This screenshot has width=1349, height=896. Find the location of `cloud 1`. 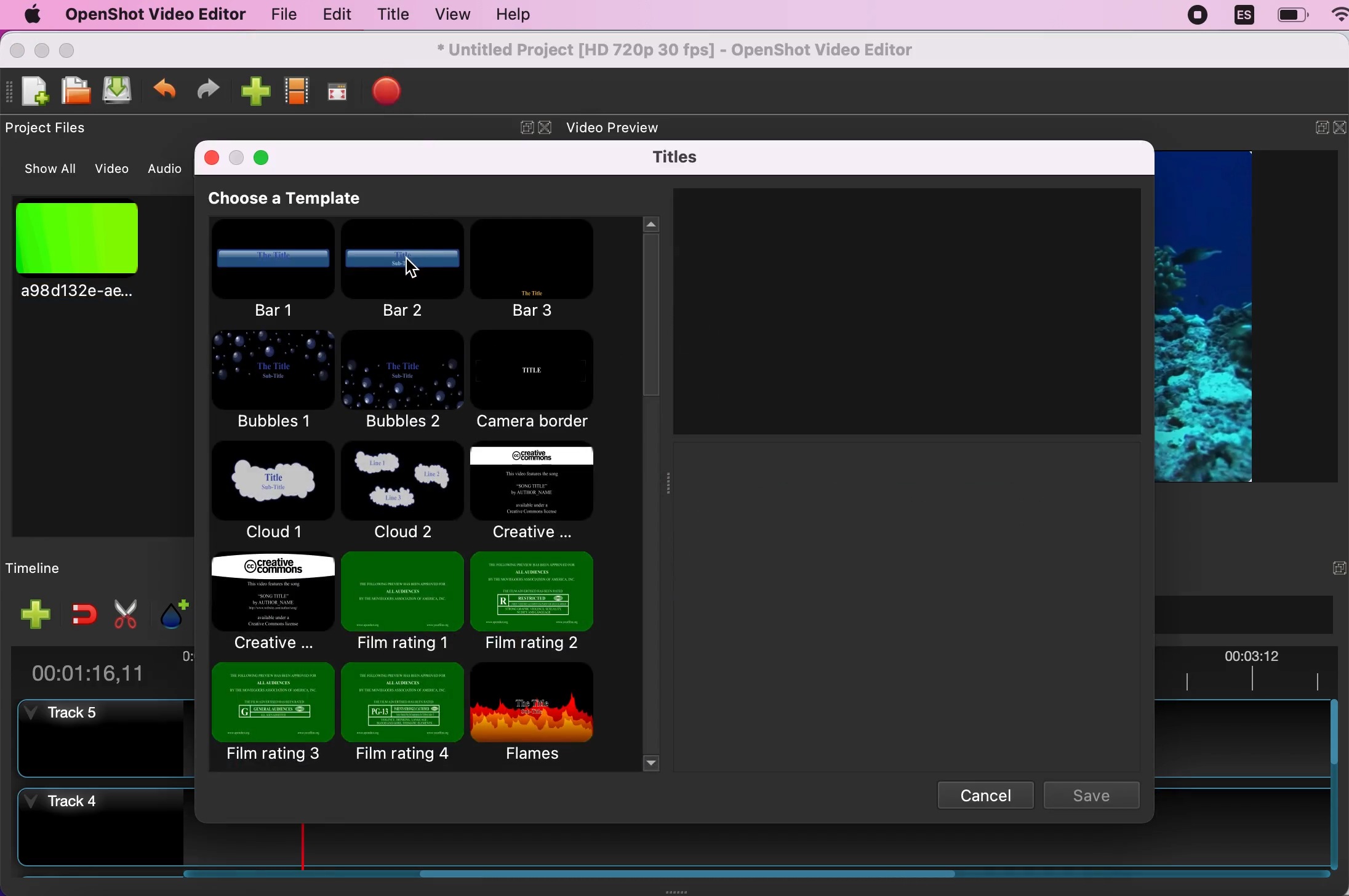

cloud 1 is located at coordinates (275, 493).